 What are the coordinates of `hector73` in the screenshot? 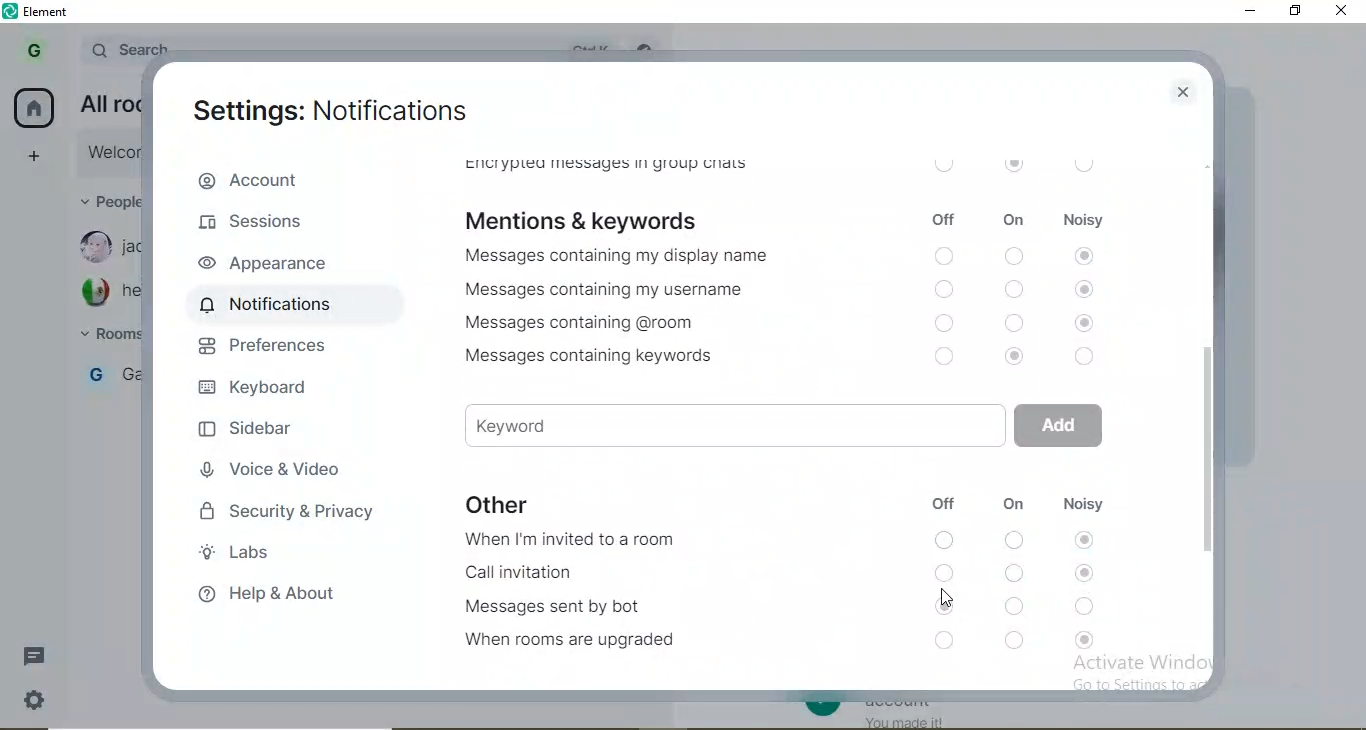 It's located at (131, 291).